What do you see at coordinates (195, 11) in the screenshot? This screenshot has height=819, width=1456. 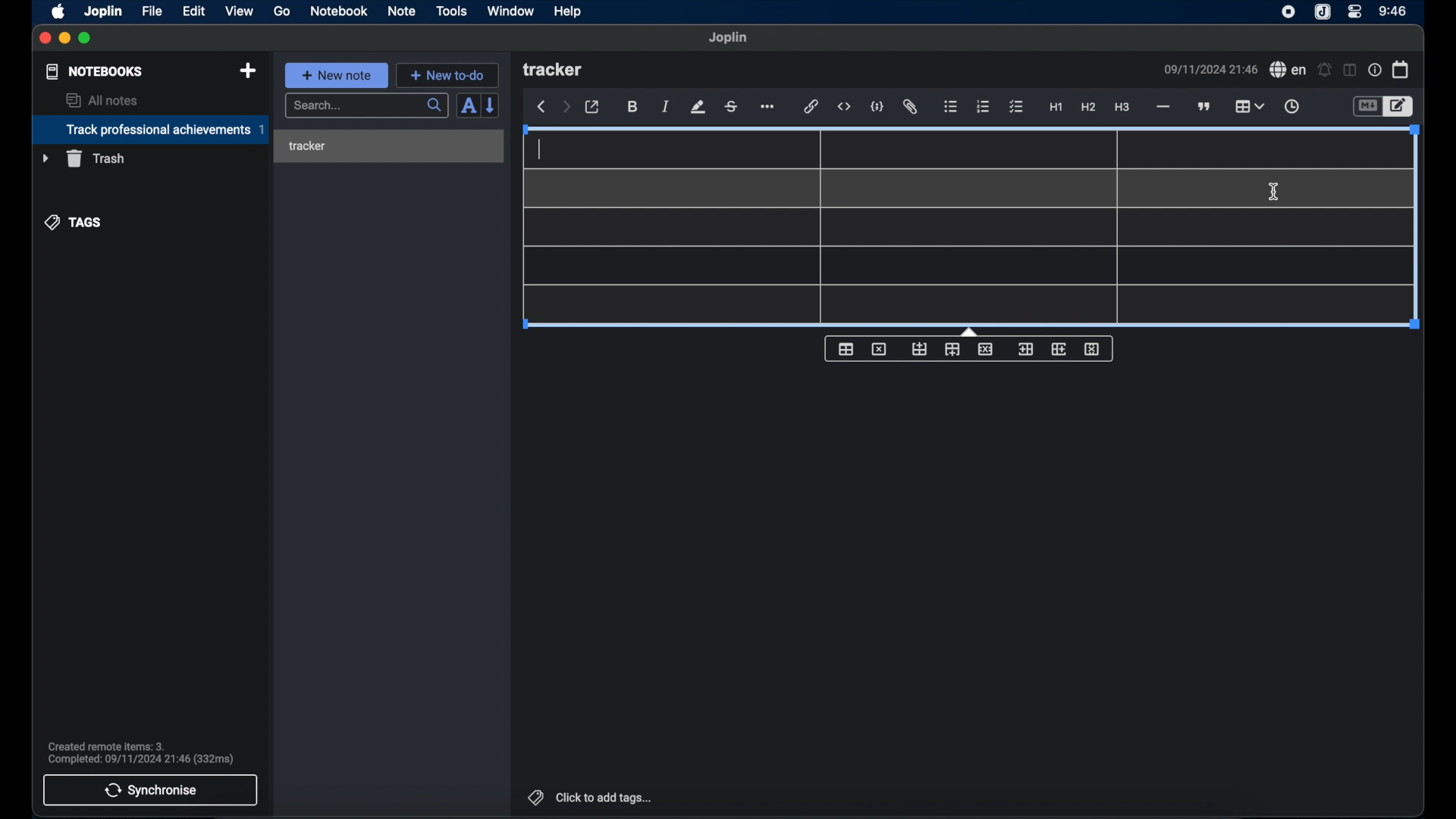 I see `edit` at bounding box center [195, 11].